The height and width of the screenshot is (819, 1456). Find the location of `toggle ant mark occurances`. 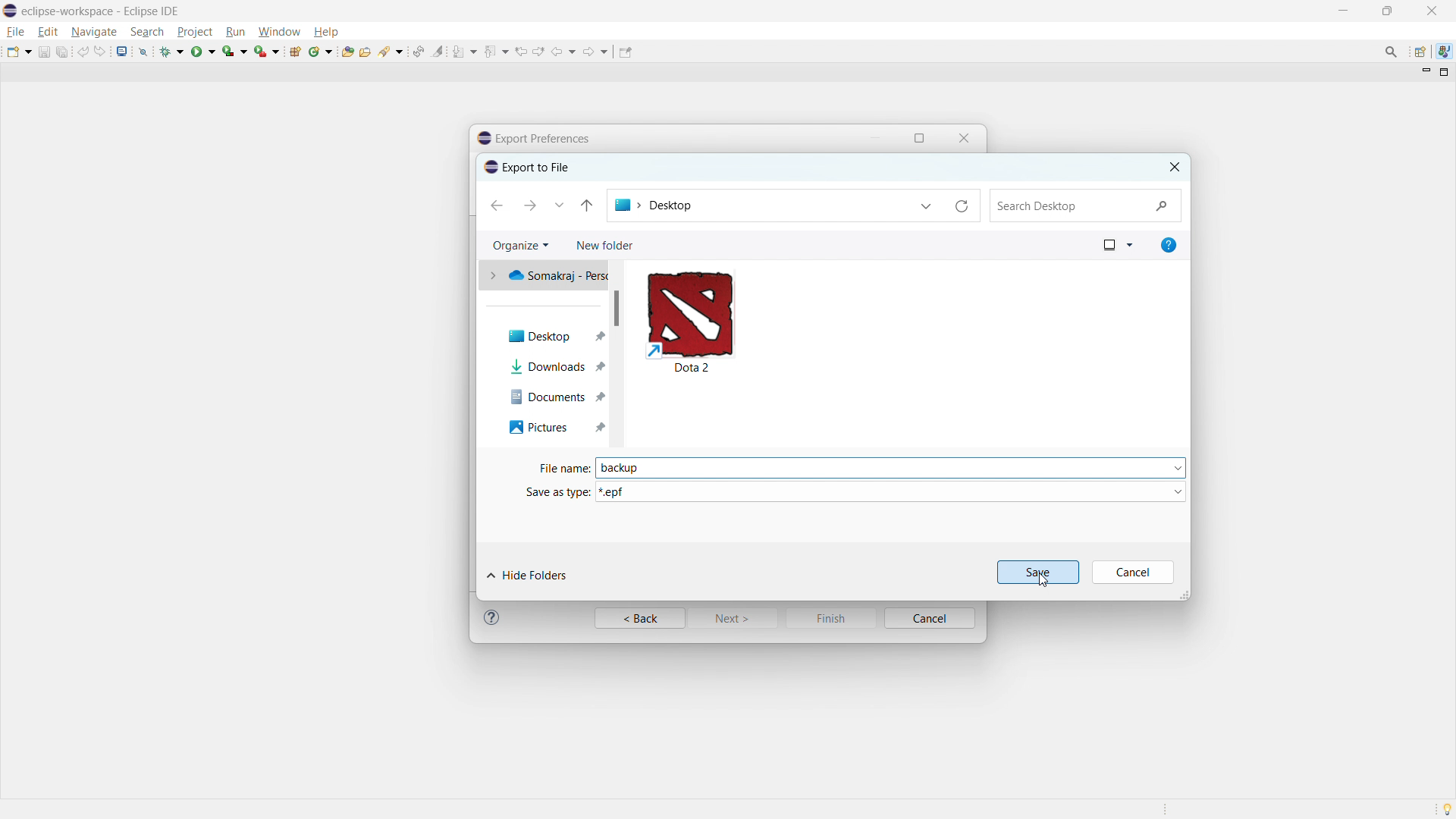

toggle ant mark occurances is located at coordinates (438, 51).